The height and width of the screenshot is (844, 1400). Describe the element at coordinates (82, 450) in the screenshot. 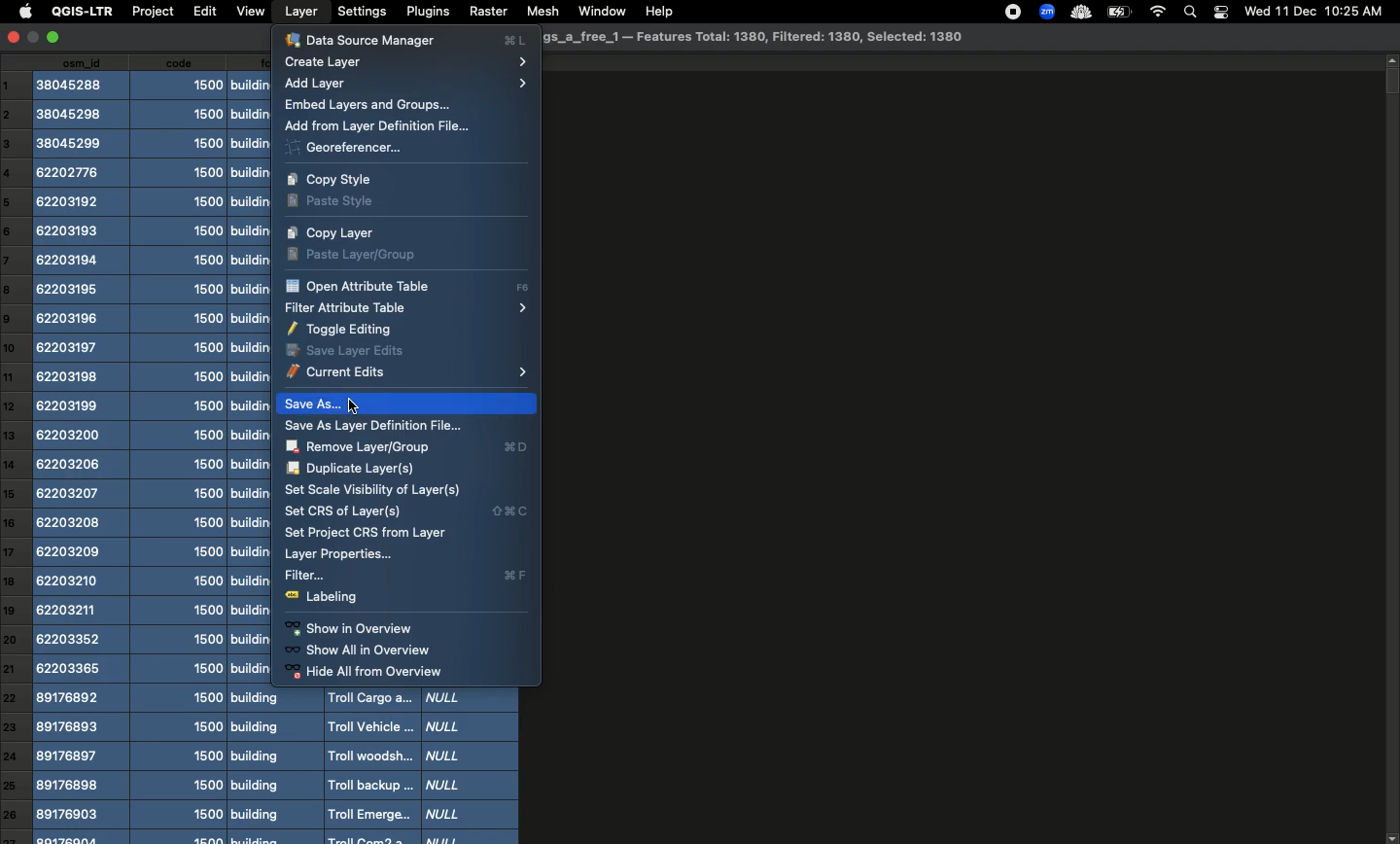

I see `csn_id` at that location.